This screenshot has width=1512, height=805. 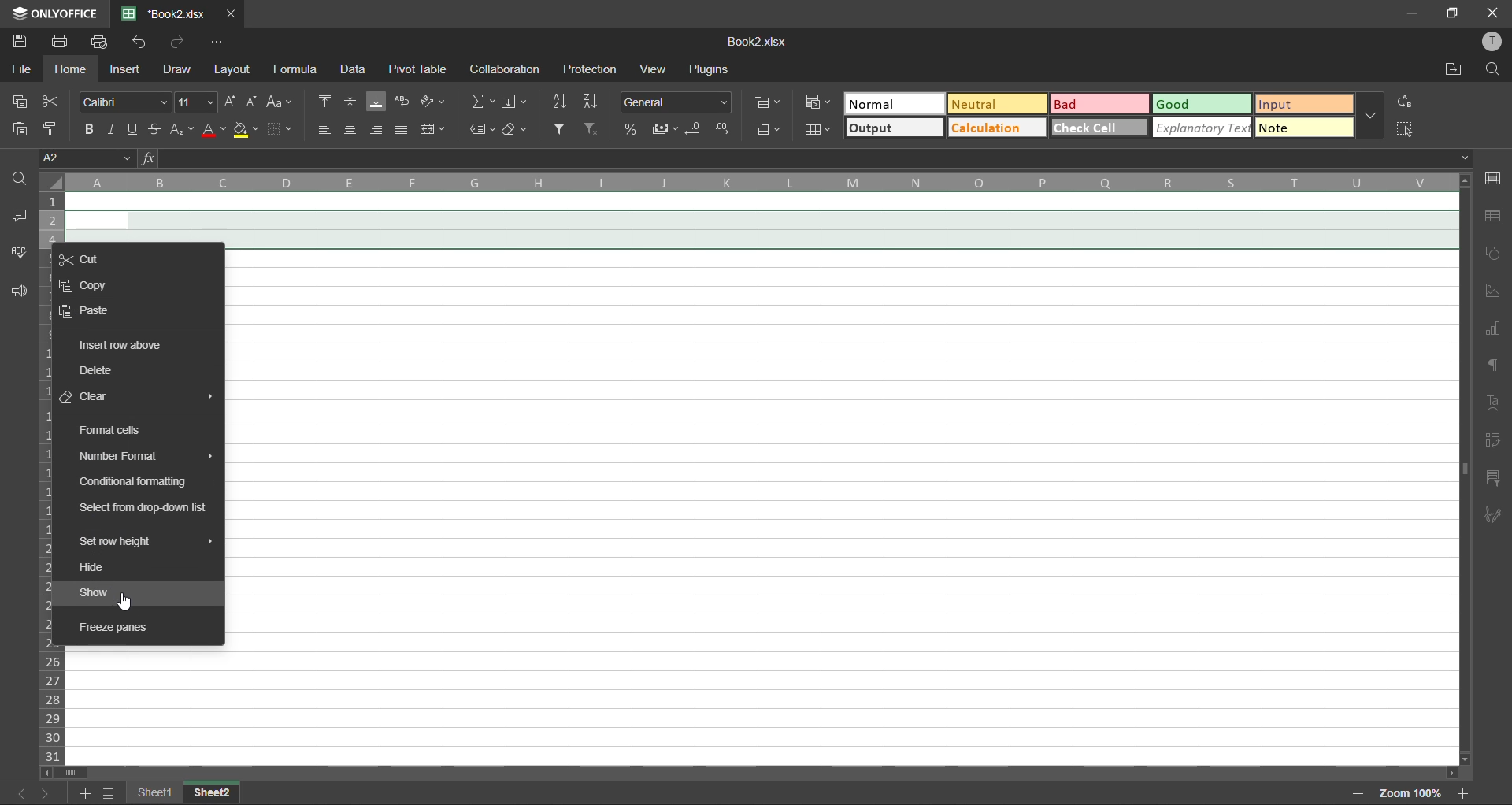 I want to click on strikethrough, so click(x=155, y=127).